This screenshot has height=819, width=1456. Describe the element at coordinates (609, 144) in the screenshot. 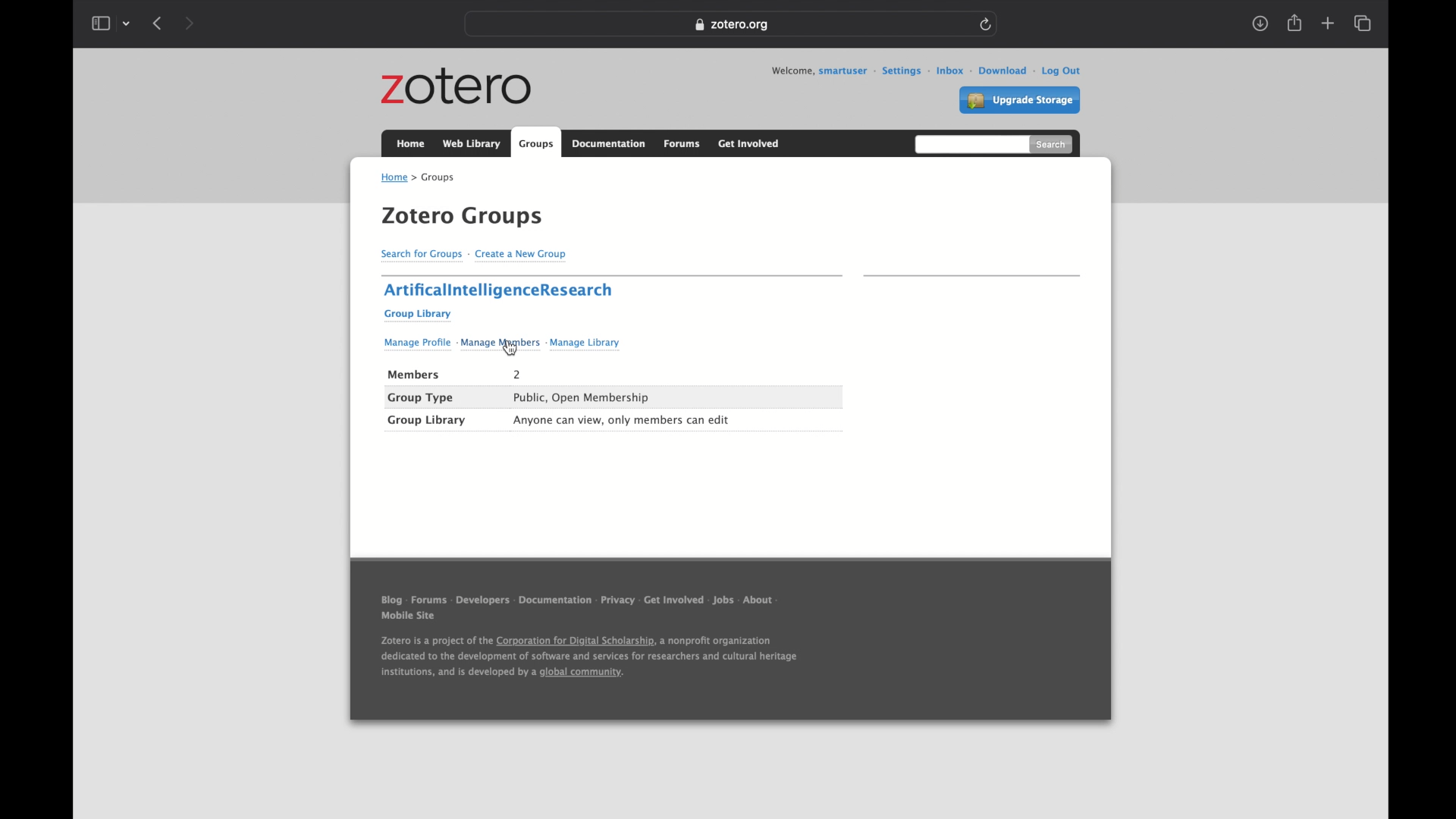

I see `documentation` at that location.